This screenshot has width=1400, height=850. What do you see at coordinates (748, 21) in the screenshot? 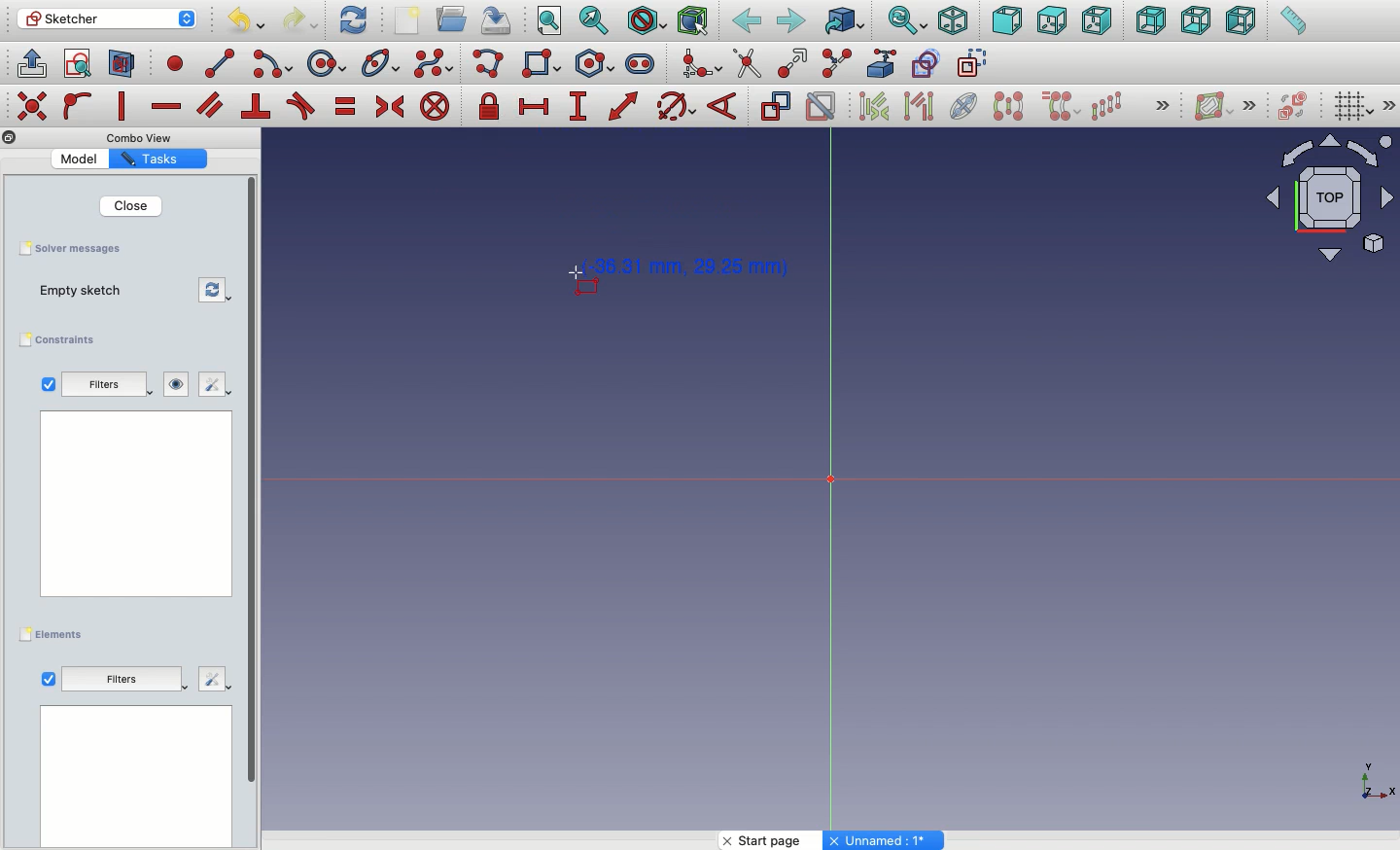
I see `Back` at bounding box center [748, 21].